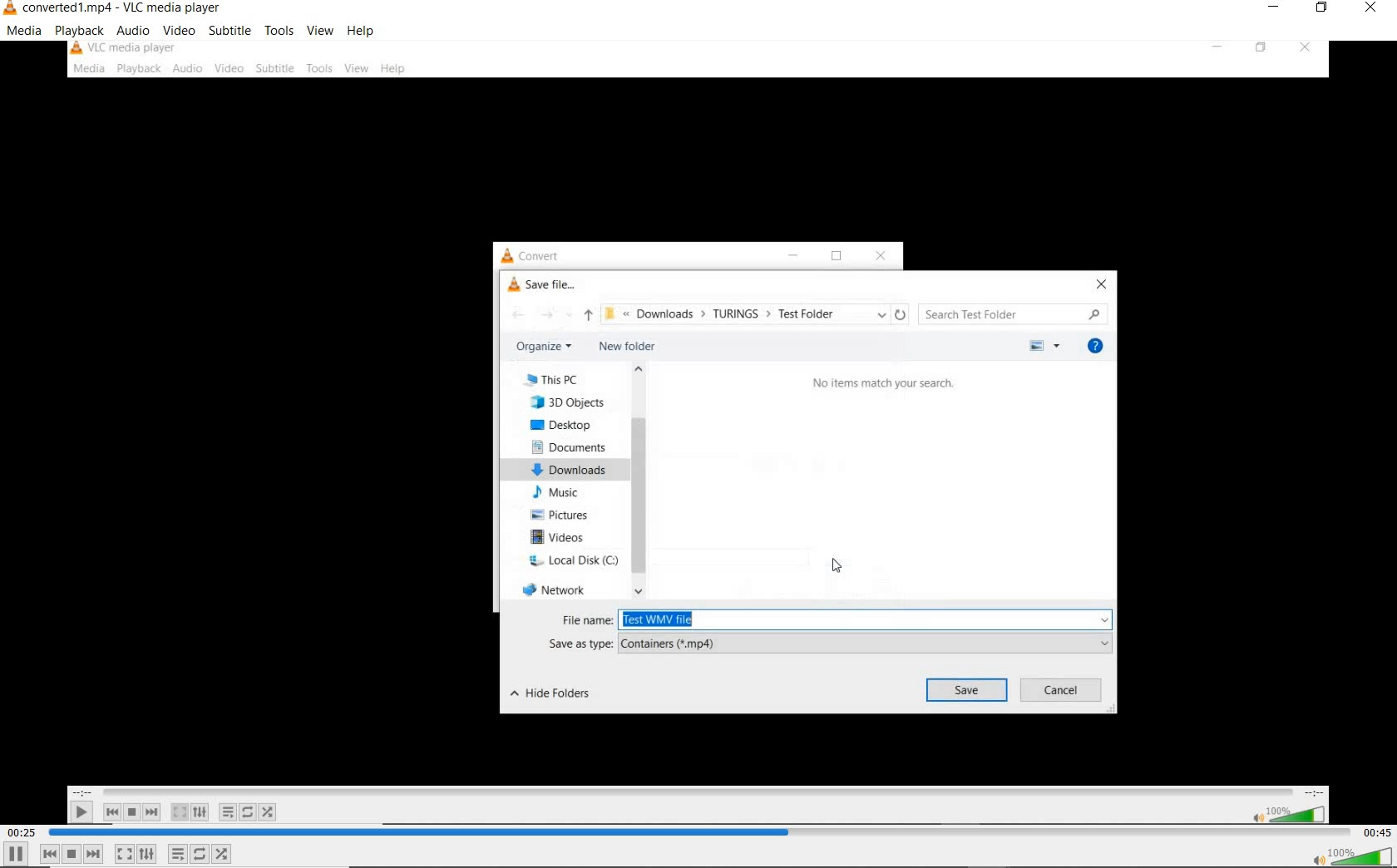 The image size is (1397, 868). What do you see at coordinates (24, 29) in the screenshot?
I see `media` at bounding box center [24, 29].